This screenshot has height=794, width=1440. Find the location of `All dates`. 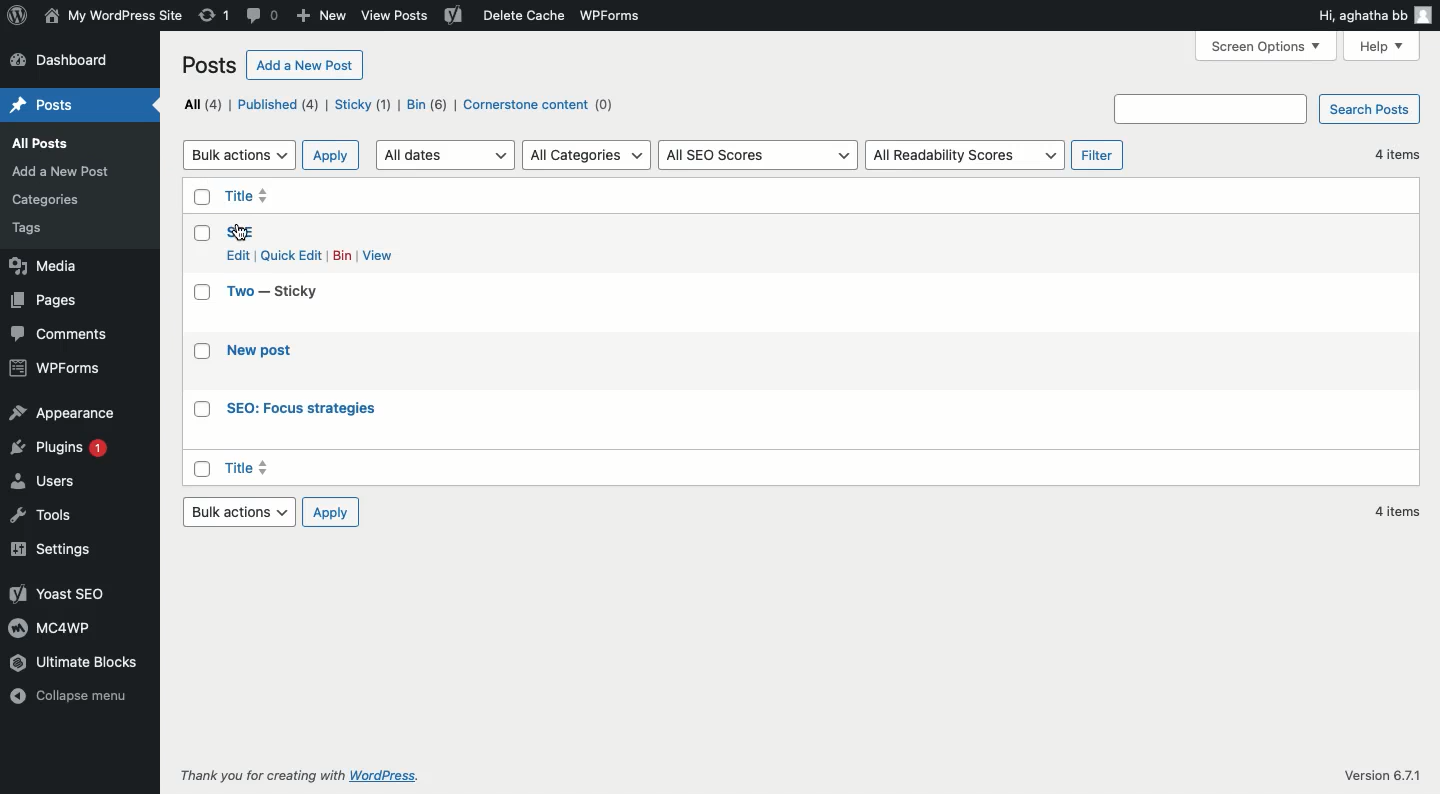

All dates is located at coordinates (444, 156).